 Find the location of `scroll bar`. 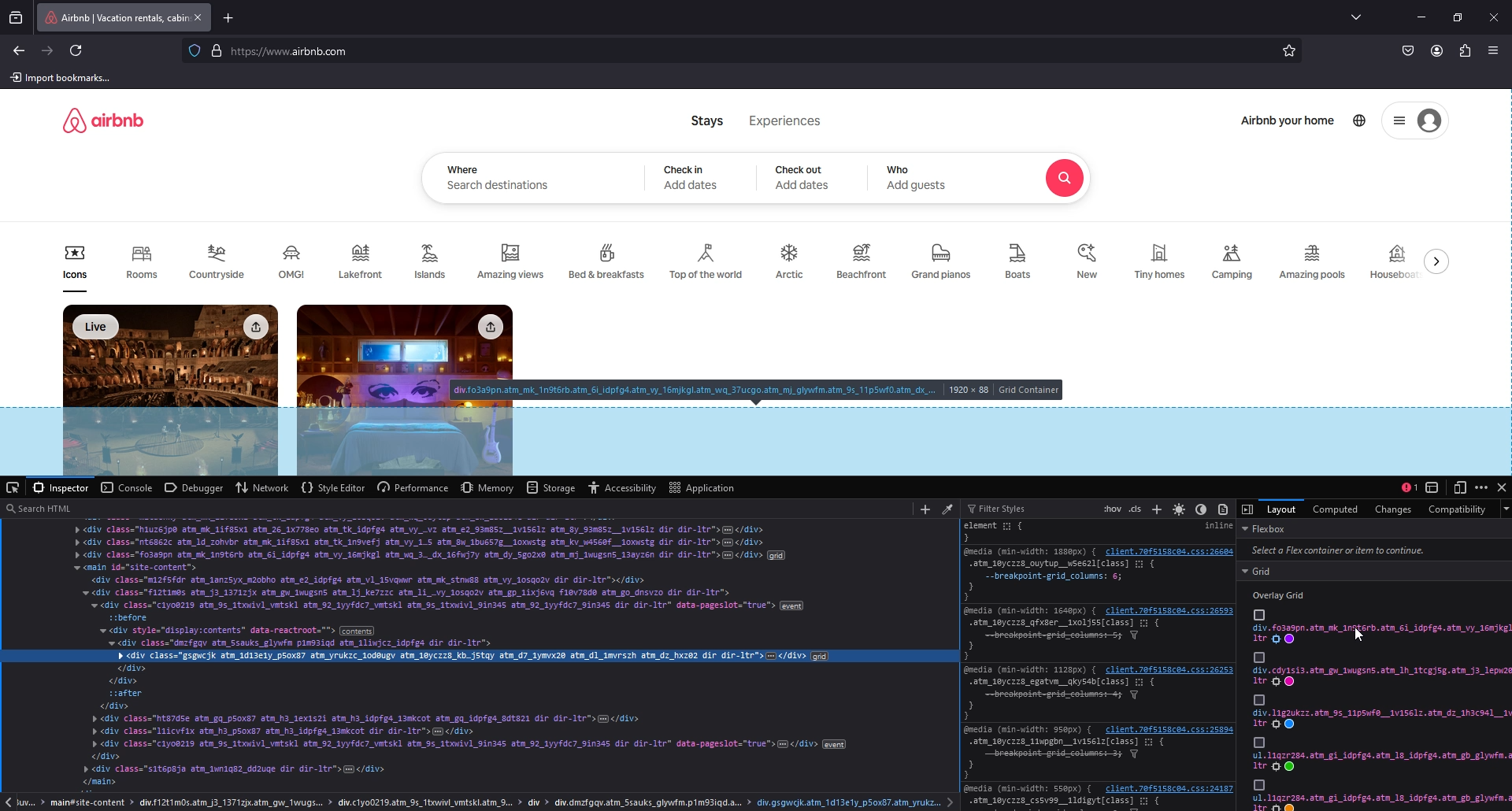

scroll bar is located at coordinates (1503, 180).